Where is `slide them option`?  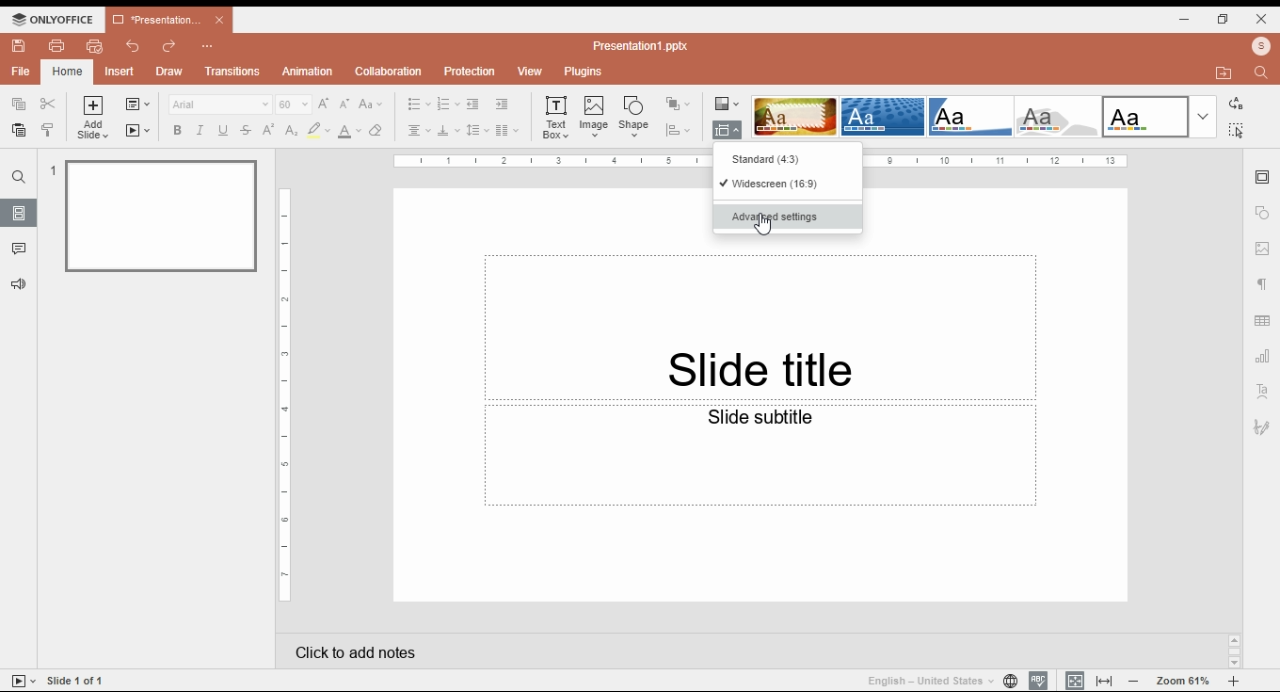
slide them option is located at coordinates (1146, 116).